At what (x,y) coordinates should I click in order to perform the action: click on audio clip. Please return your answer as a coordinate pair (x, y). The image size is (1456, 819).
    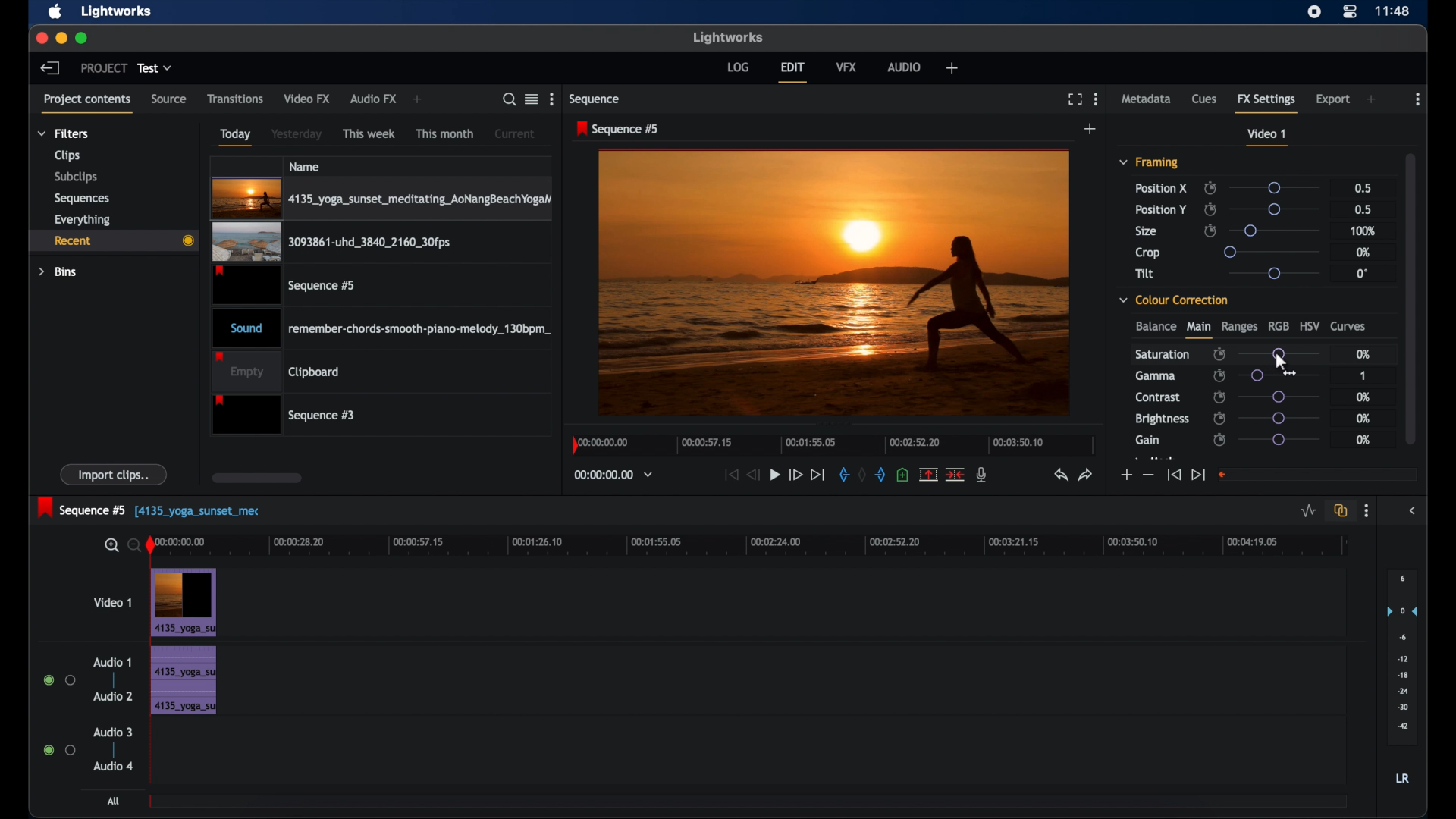
    Looking at the image, I should click on (382, 327).